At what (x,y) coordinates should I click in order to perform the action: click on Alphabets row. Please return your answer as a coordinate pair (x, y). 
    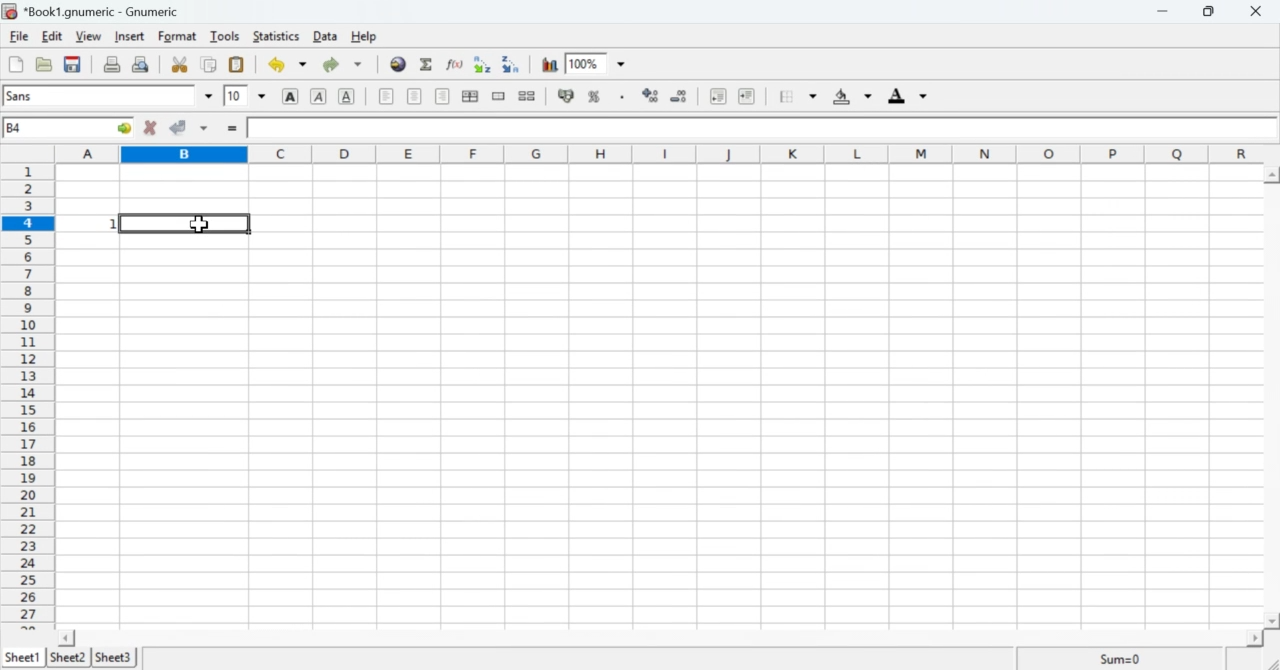
    Looking at the image, I should click on (661, 152).